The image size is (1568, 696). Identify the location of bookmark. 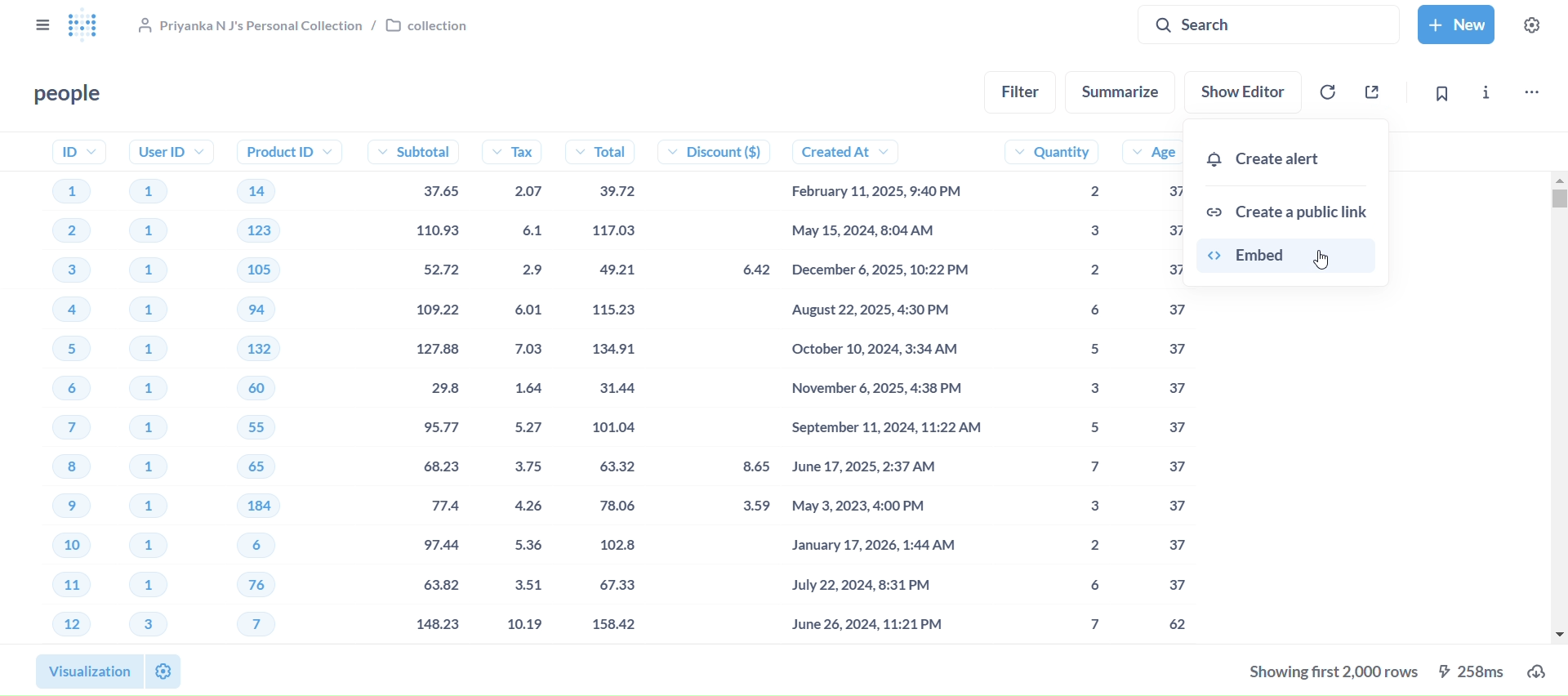
(1437, 93).